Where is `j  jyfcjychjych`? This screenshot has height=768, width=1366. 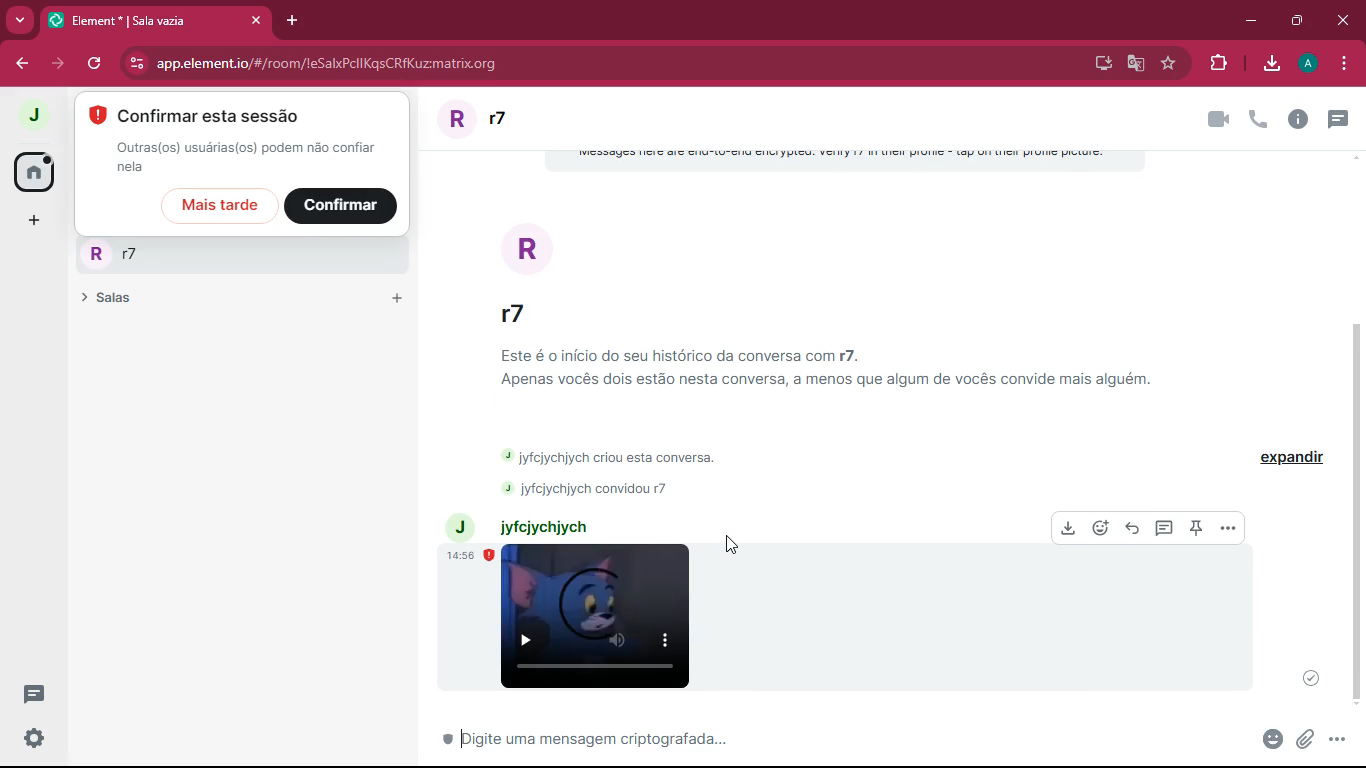
j  jyfcjychjych is located at coordinates (450, 526).